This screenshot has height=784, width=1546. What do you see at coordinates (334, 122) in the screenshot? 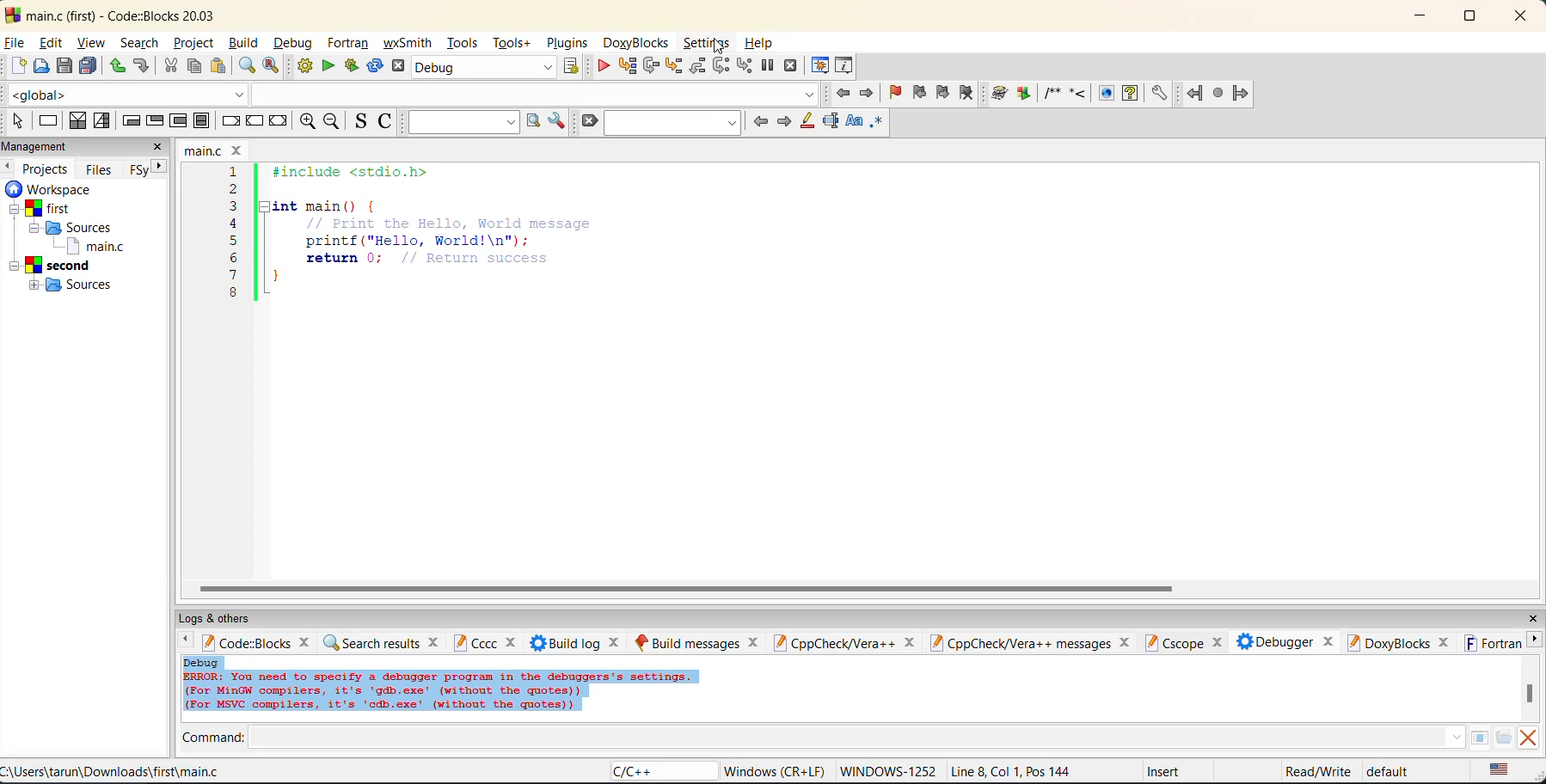
I see `zoom out` at bounding box center [334, 122].